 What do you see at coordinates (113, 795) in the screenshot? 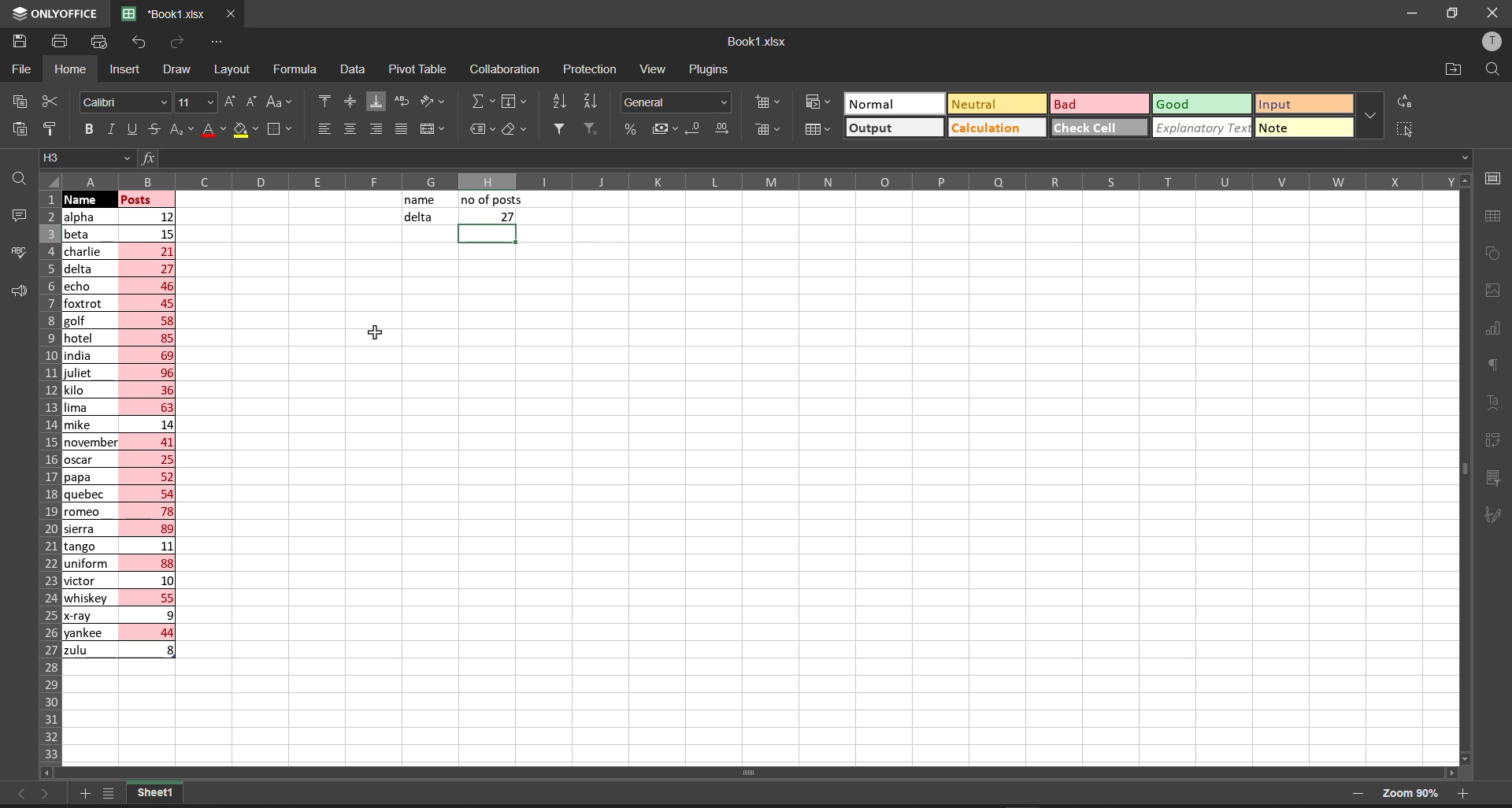
I see `list of sheets` at bounding box center [113, 795].